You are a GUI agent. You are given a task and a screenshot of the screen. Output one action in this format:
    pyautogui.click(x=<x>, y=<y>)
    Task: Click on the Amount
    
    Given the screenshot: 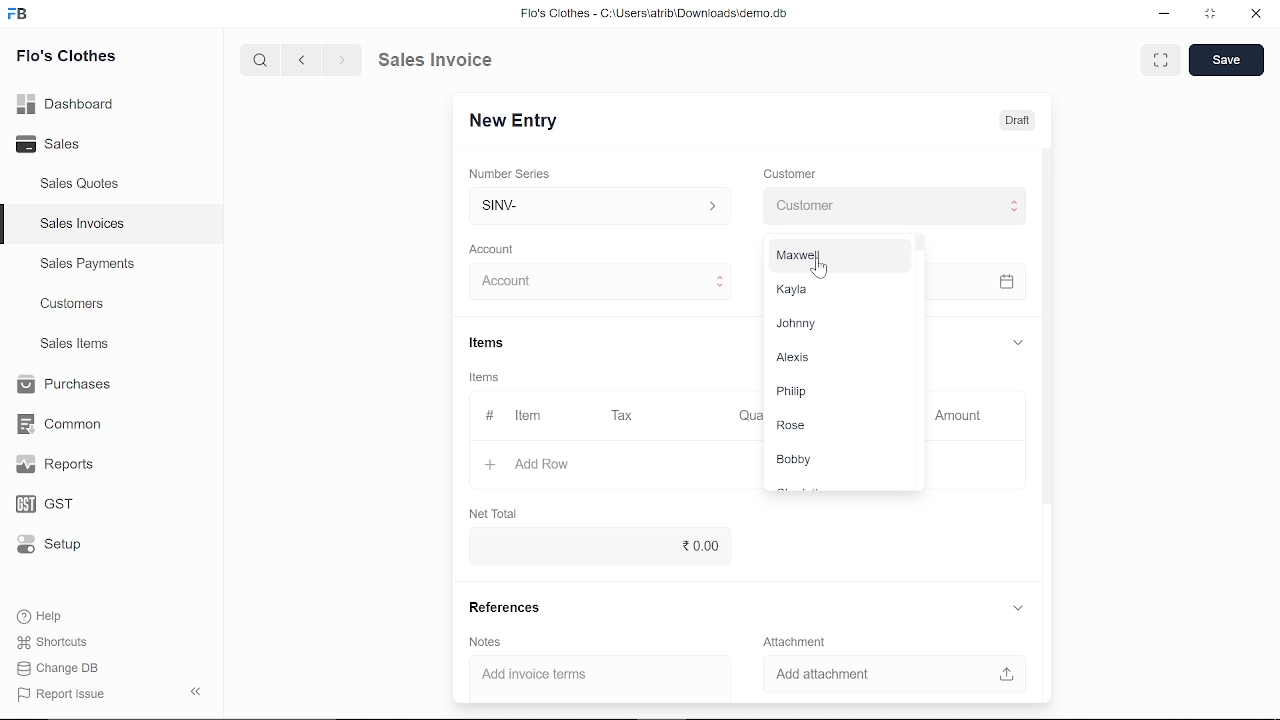 What is the action you would take?
    pyautogui.click(x=962, y=416)
    